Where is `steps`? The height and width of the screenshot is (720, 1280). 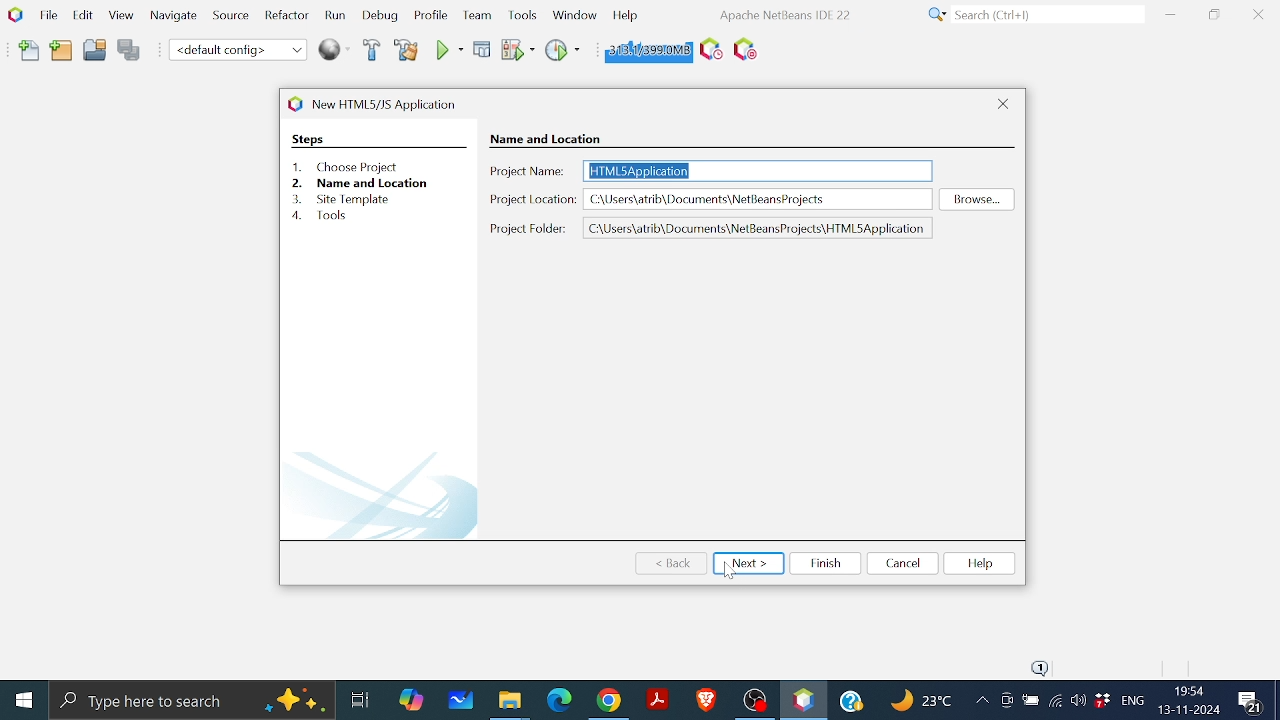 steps is located at coordinates (308, 139).